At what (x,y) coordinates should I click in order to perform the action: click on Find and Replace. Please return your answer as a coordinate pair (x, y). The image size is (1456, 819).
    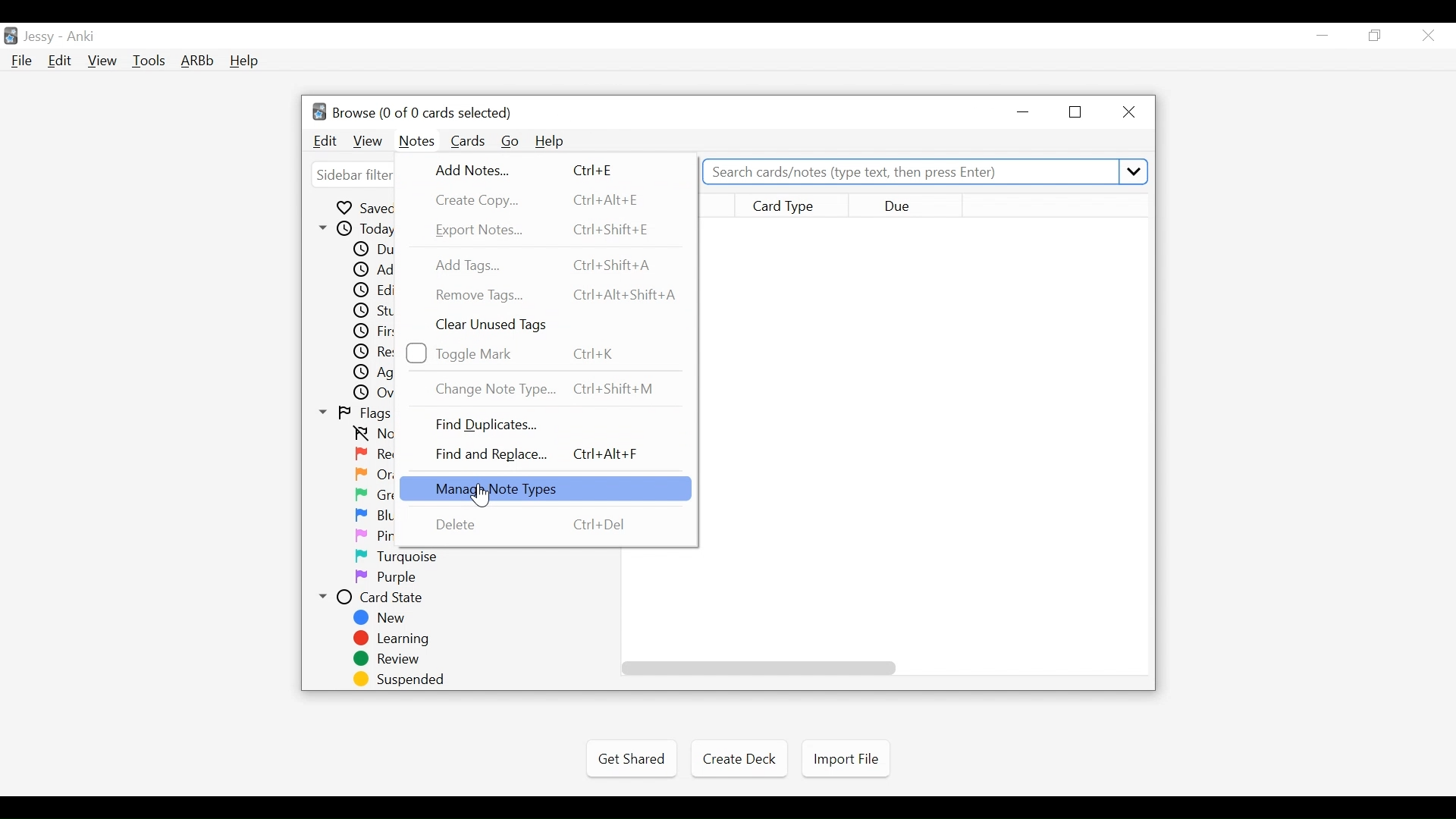
    Looking at the image, I should click on (541, 453).